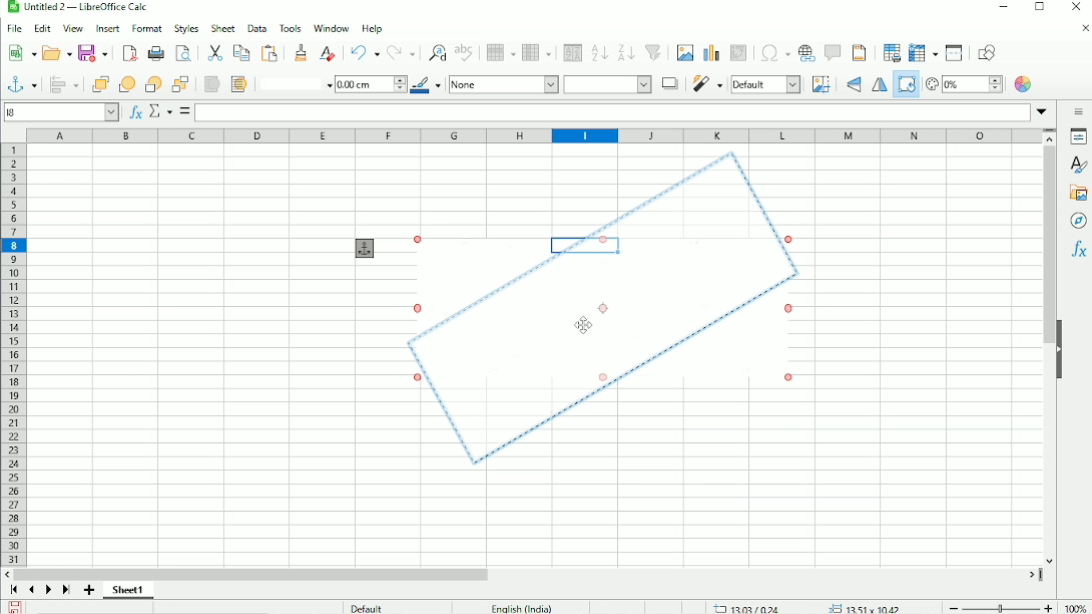  Describe the element at coordinates (684, 53) in the screenshot. I see `Insert image` at that location.